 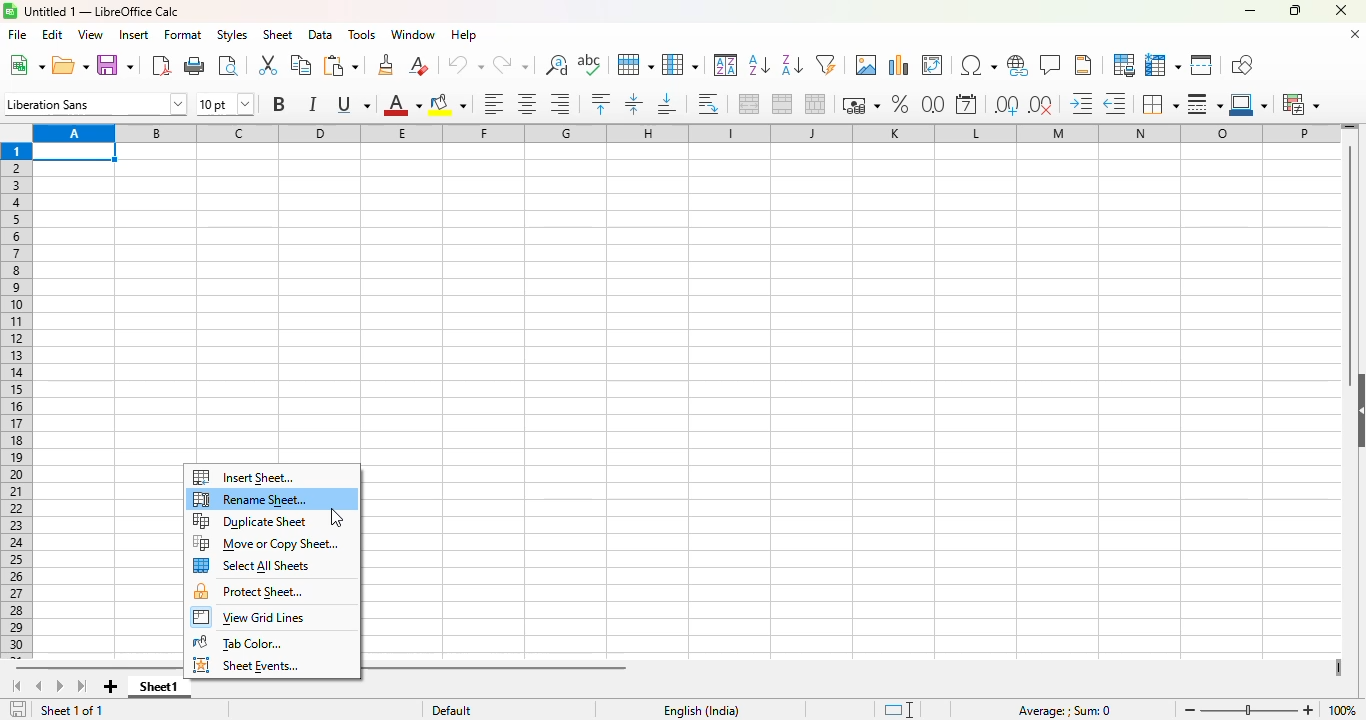 What do you see at coordinates (1006, 105) in the screenshot?
I see `add decimal place` at bounding box center [1006, 105].